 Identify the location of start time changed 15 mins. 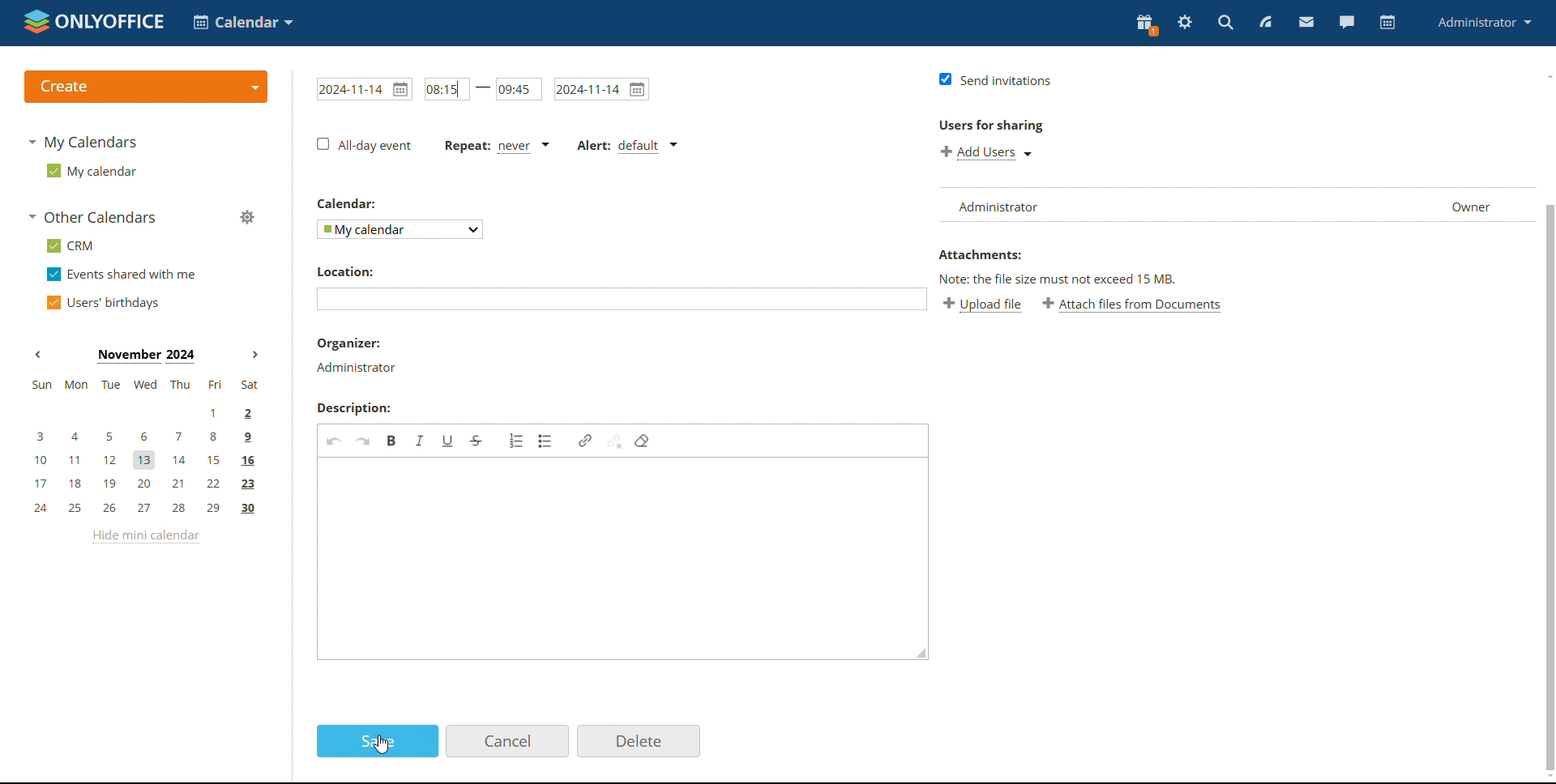
(446, 88).